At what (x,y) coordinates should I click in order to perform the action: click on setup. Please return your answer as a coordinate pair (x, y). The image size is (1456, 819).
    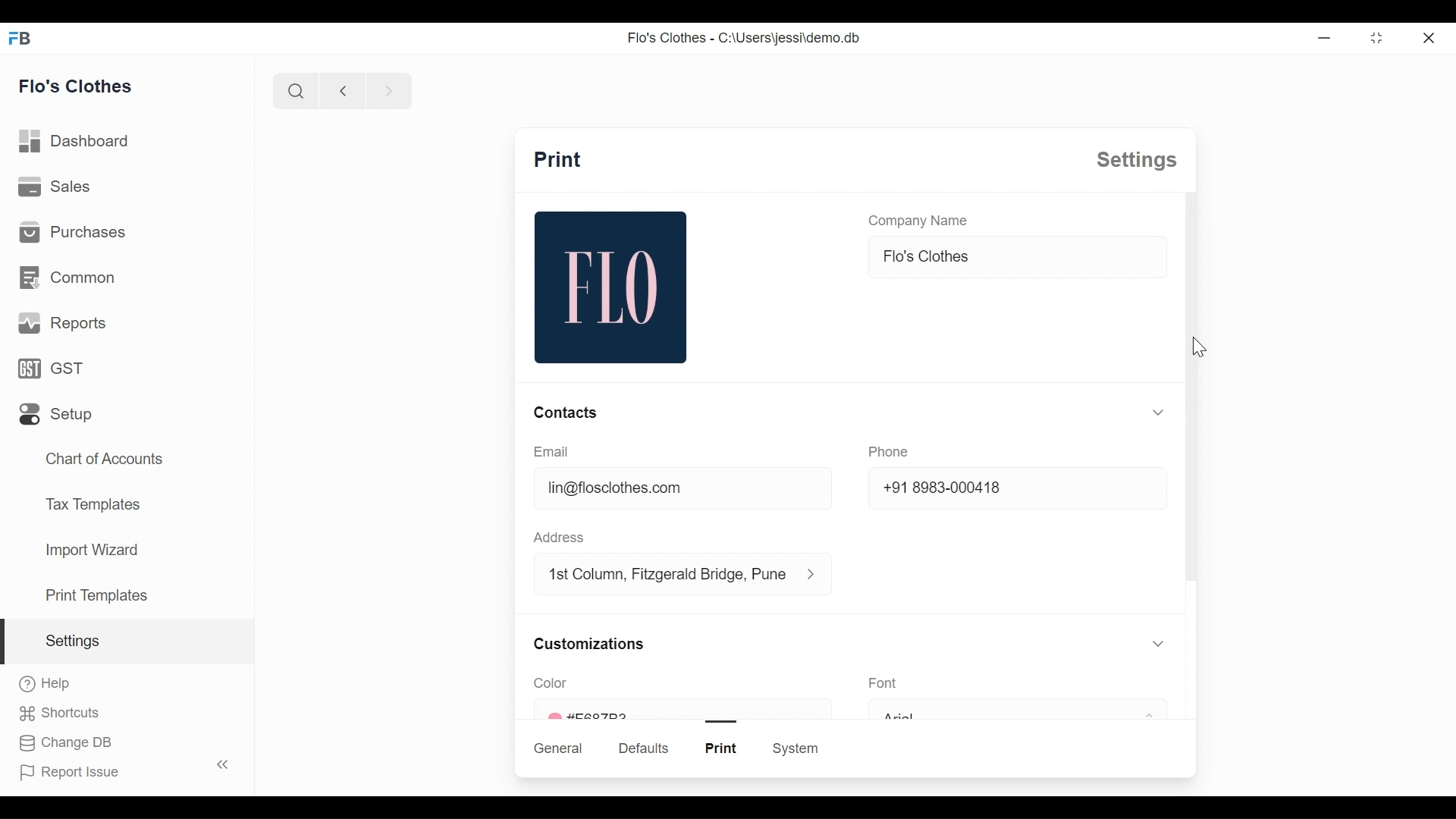
    Looking at the image, I should click on (56, 415).